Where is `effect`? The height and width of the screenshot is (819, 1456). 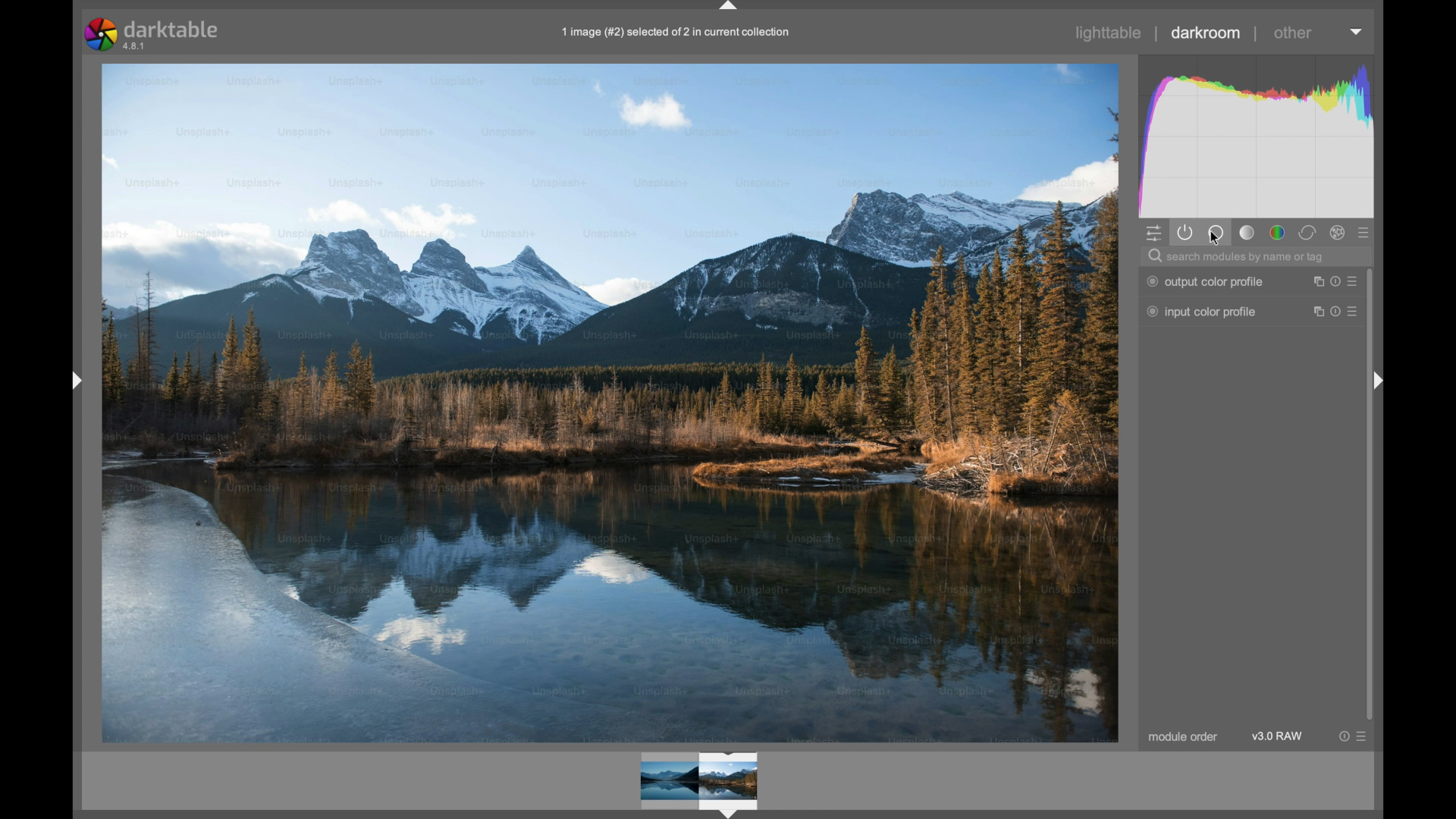 effect is located at coordinates (1338, 232).